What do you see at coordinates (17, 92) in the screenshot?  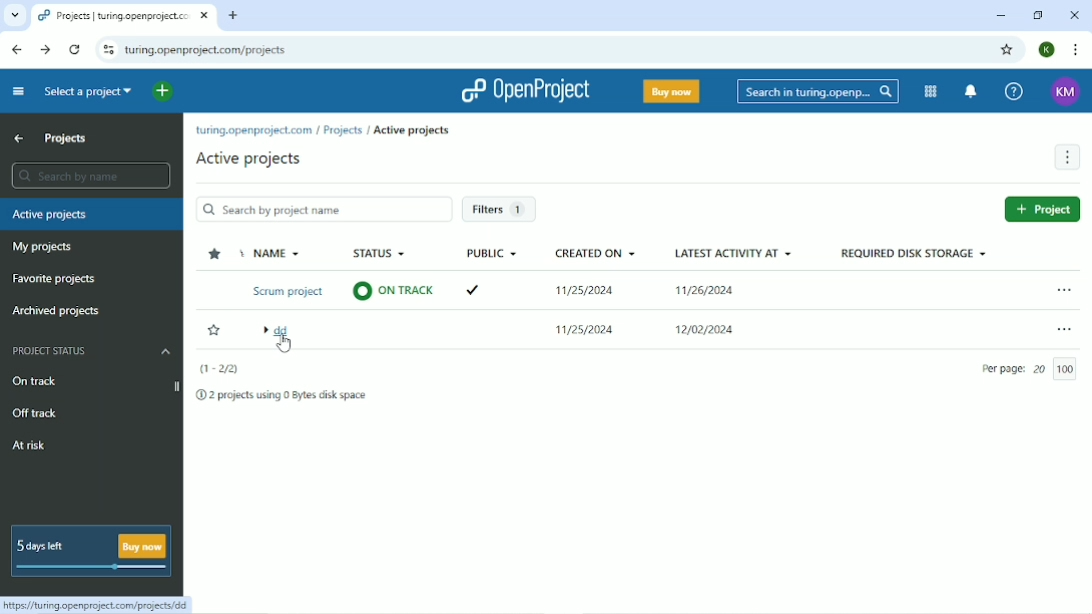 I see `Collapse project menu` at bounding box center [17, 92].